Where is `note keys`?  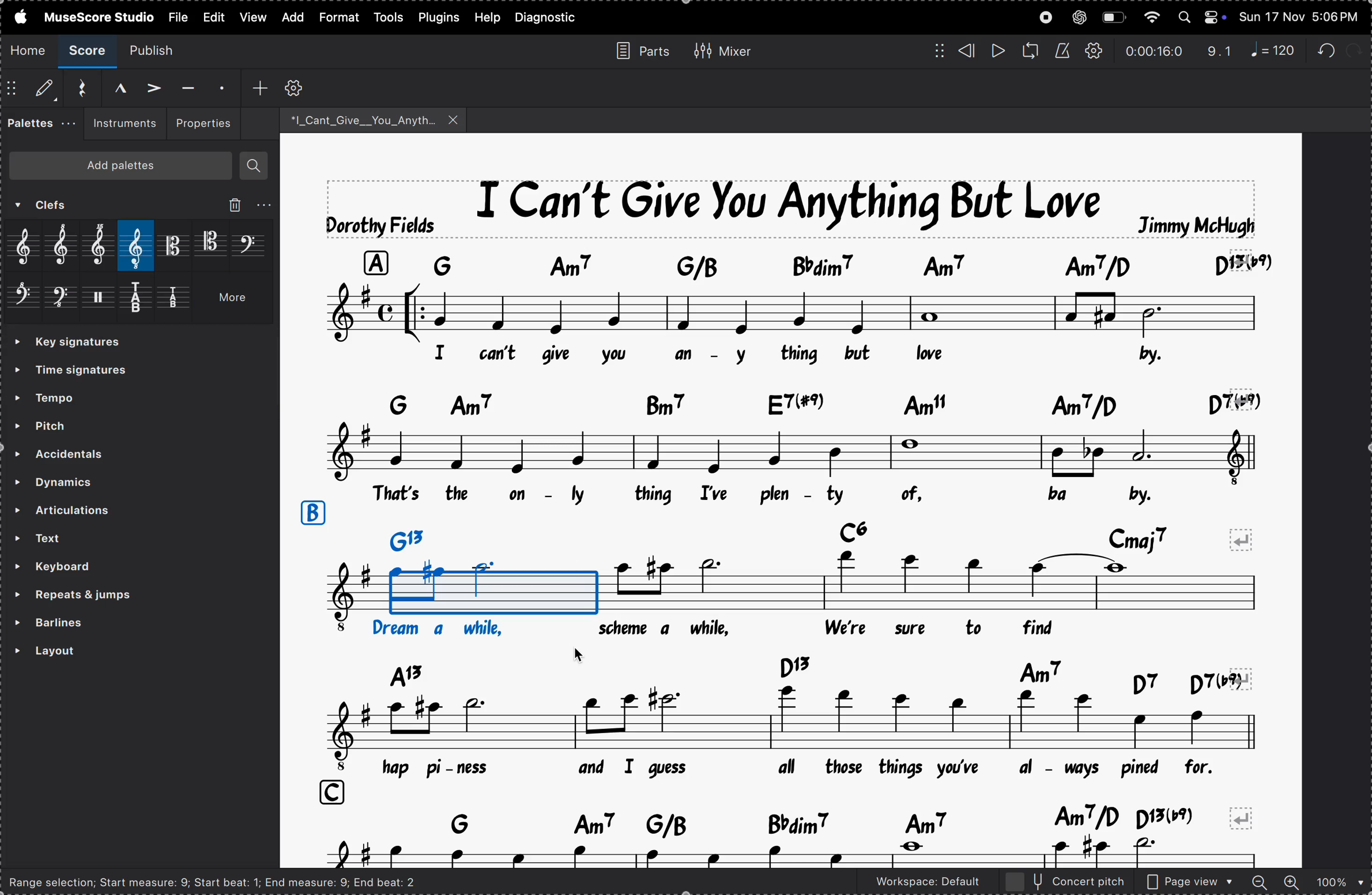
note keys is located at coordinates (805, 264).